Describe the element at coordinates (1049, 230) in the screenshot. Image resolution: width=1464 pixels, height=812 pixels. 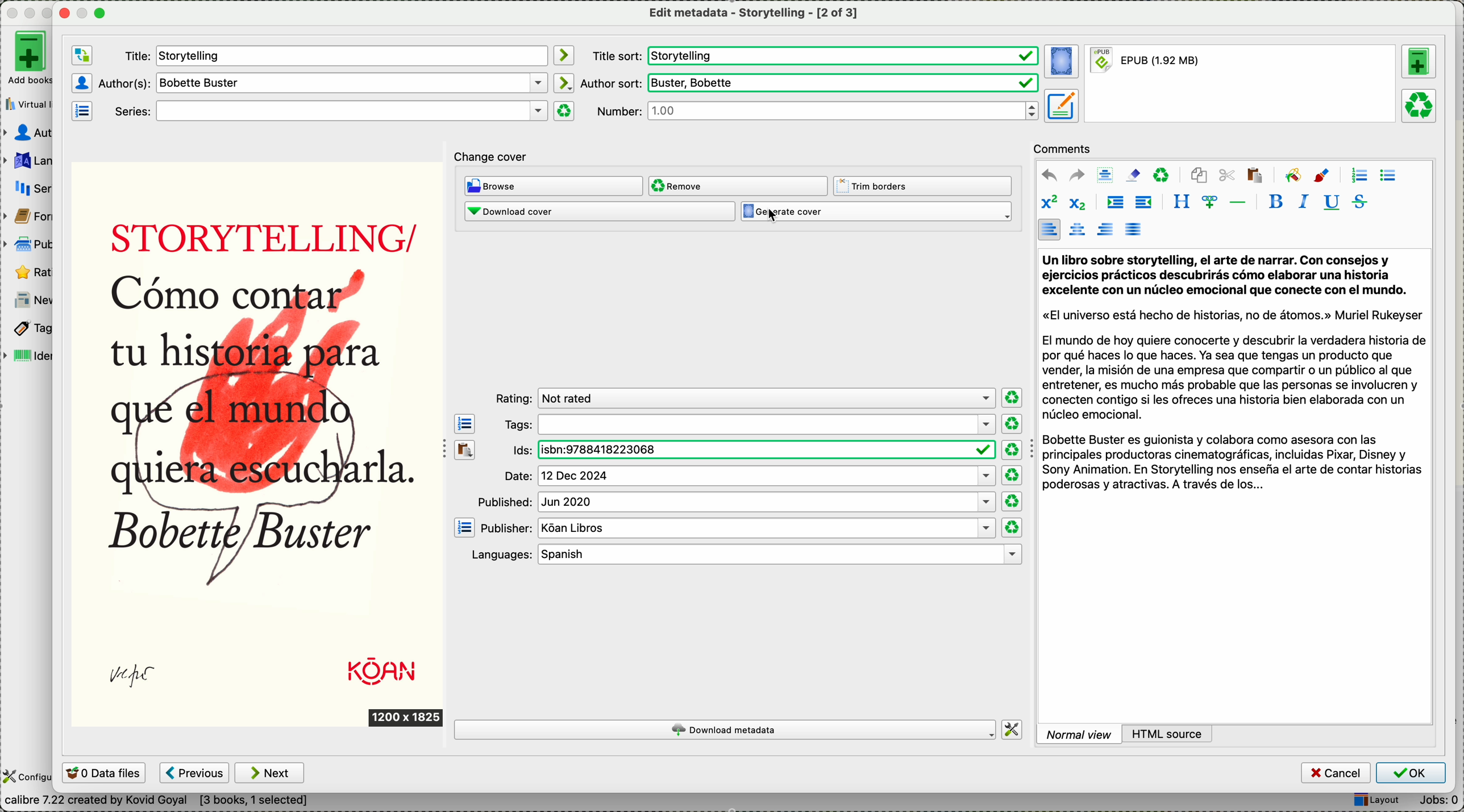
I see `align left` at that location.